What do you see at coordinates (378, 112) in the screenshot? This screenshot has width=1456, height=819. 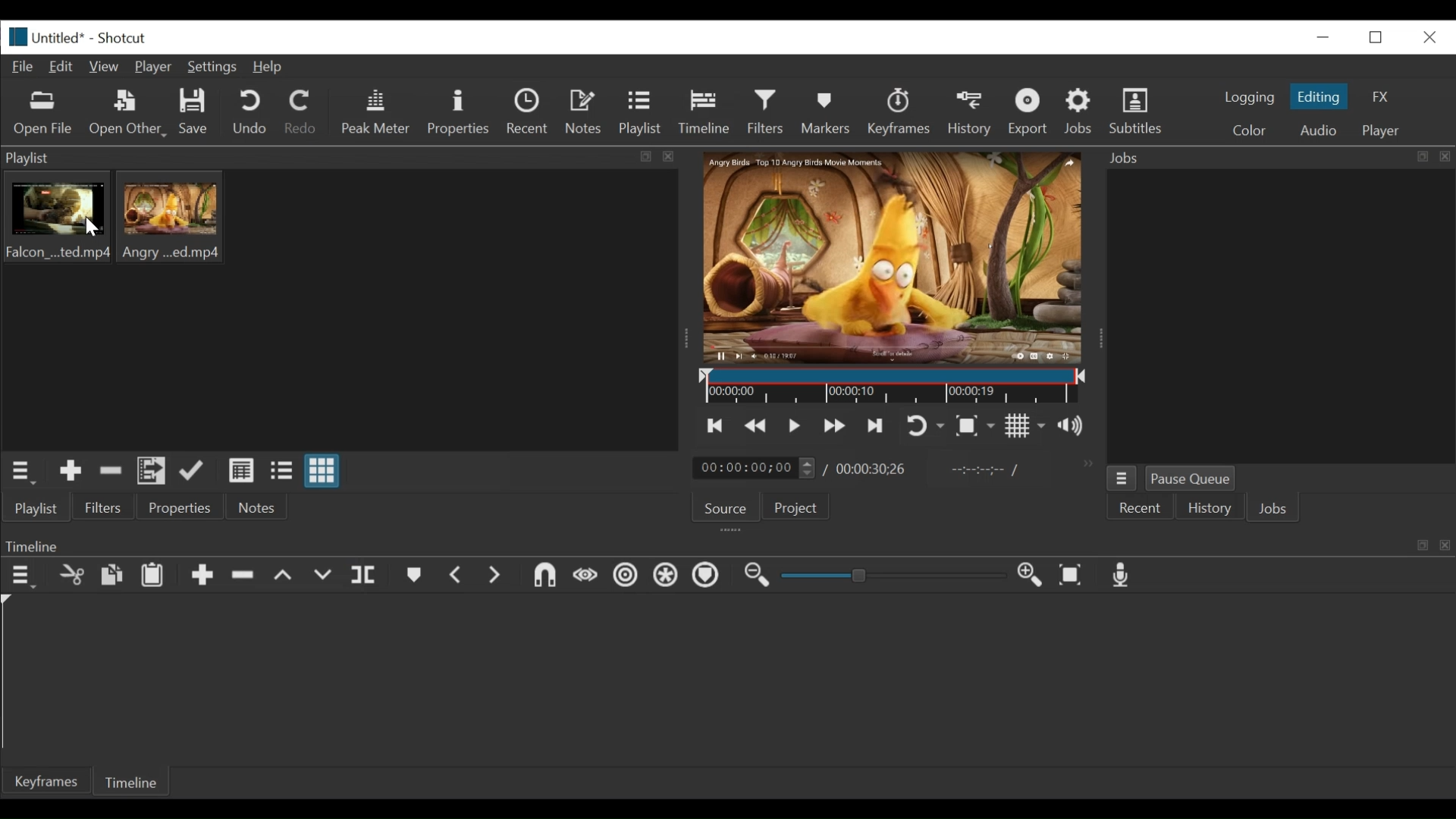 I see `Peak Meter` at bounding box center [378, 112].